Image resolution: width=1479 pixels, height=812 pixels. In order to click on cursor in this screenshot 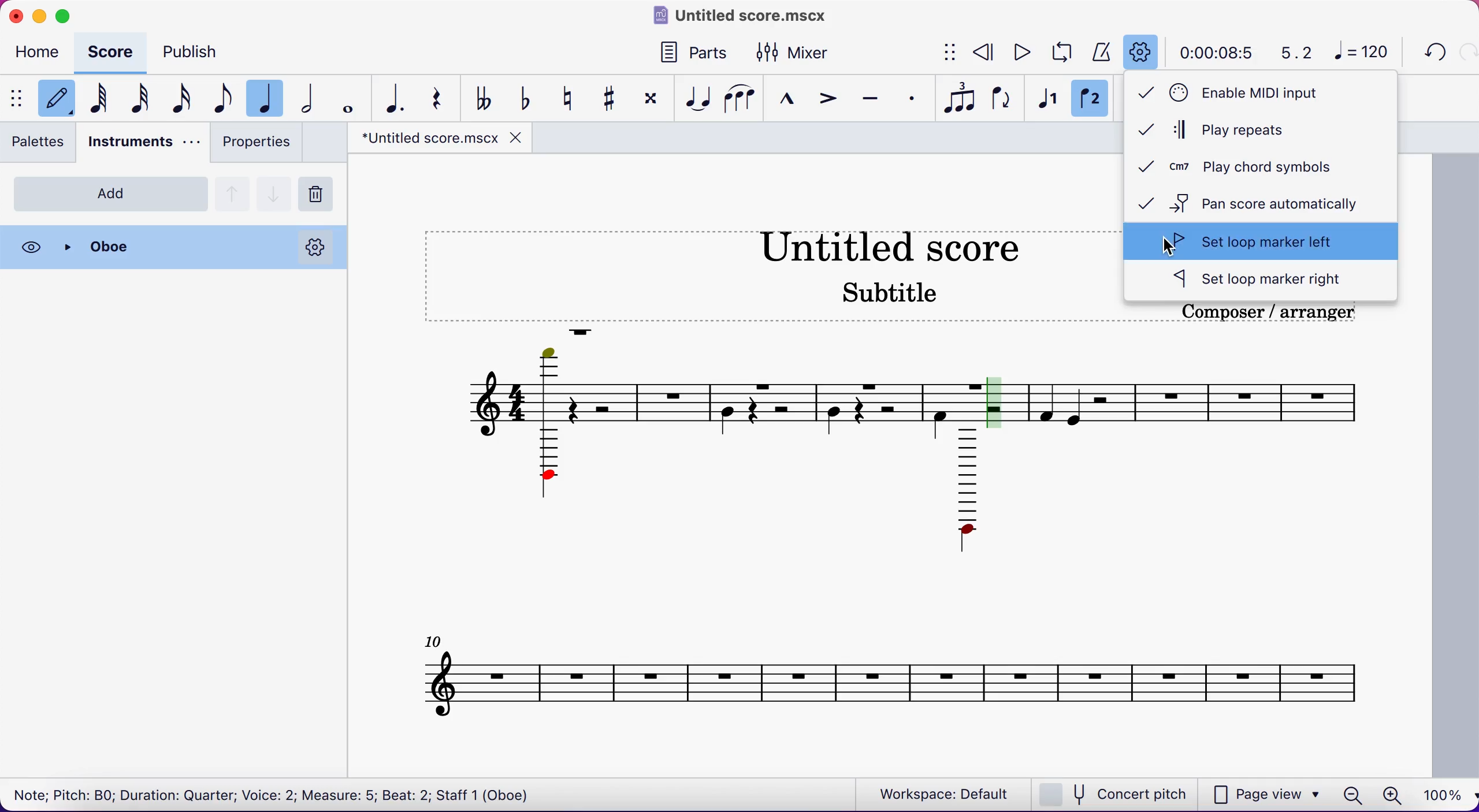, I will do `click(1169, 247)`.